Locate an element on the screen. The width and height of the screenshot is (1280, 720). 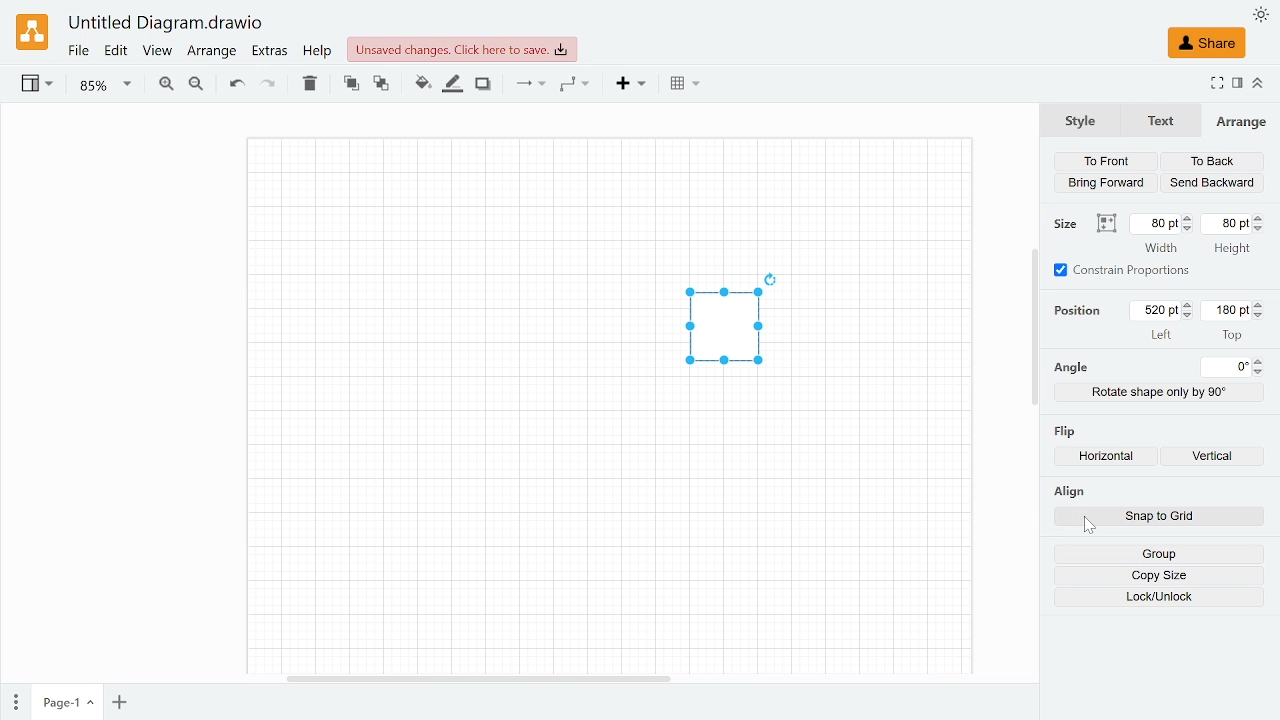
View is located at coordinates (156, 52).